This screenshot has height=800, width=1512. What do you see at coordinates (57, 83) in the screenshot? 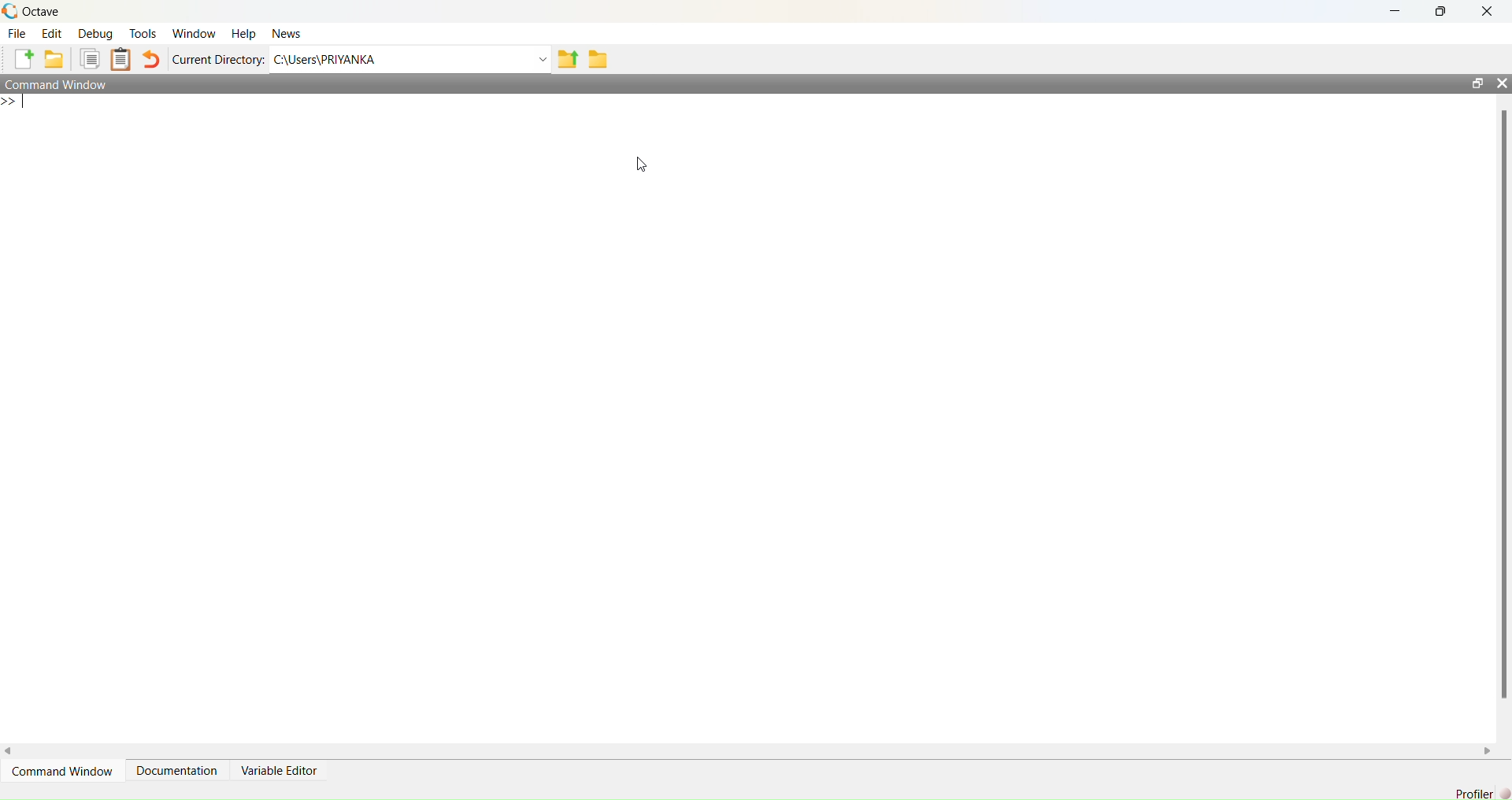
I see `Command Window` at bounding box center [57, 83].